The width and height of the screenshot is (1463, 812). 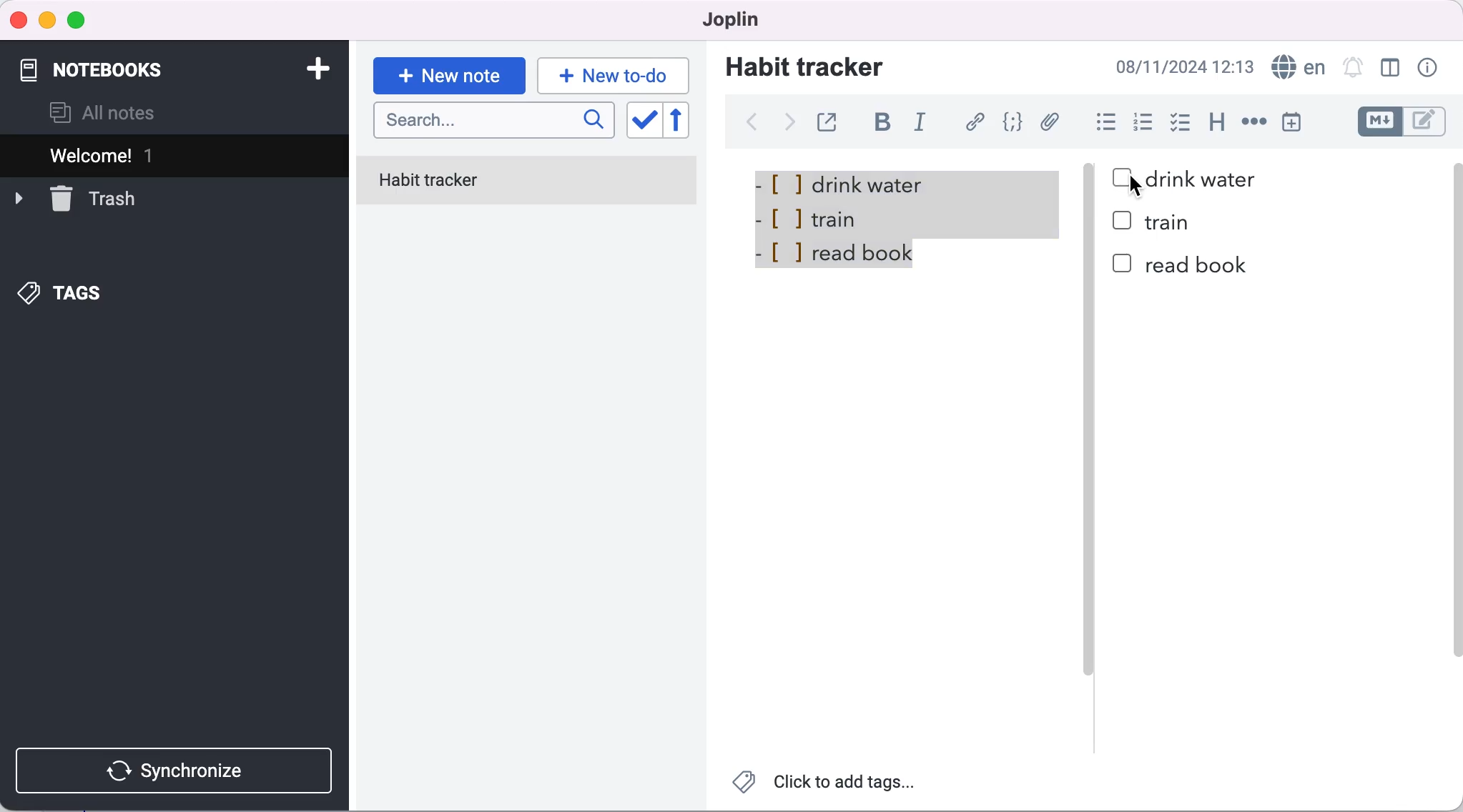 I want to click on new note, so click(x=448, y=76).